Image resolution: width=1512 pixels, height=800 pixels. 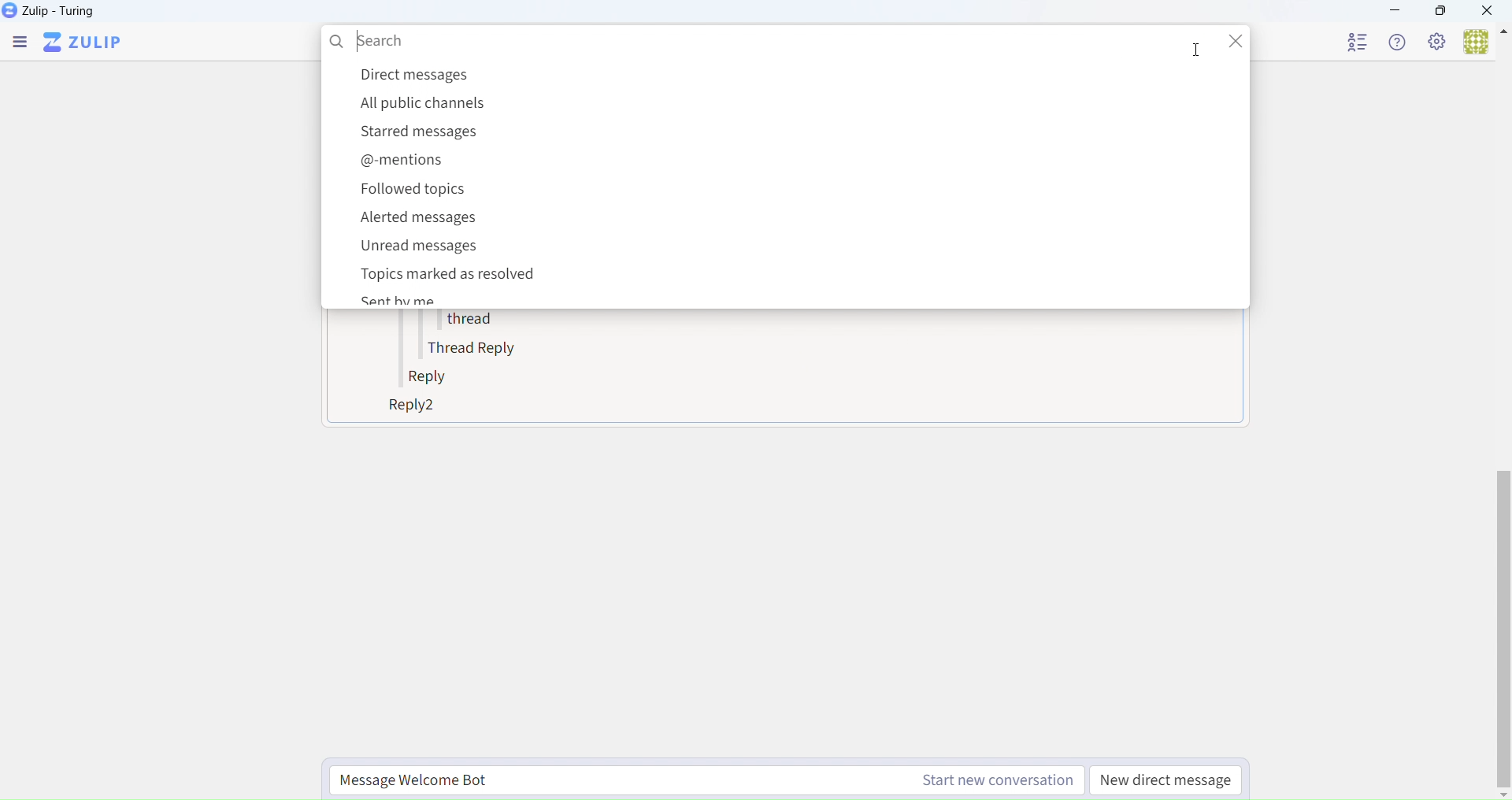 What do you see at coordinates (424, 222) in the screenshot?
I see `Alerted messages` at bounding box center [424, 222].